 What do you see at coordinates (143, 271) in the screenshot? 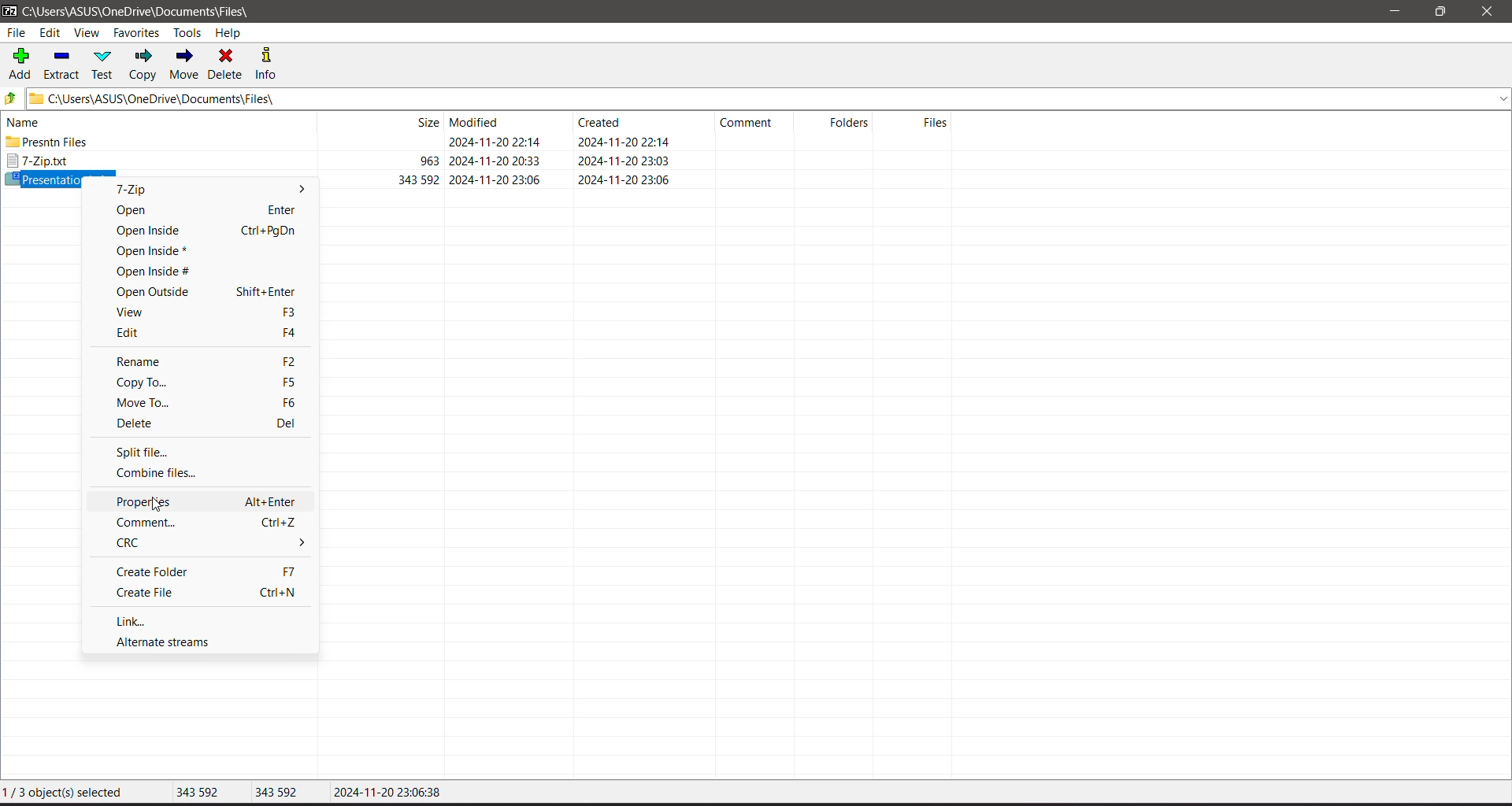
I see `Open Inside#` at bounding box center [143, 271].